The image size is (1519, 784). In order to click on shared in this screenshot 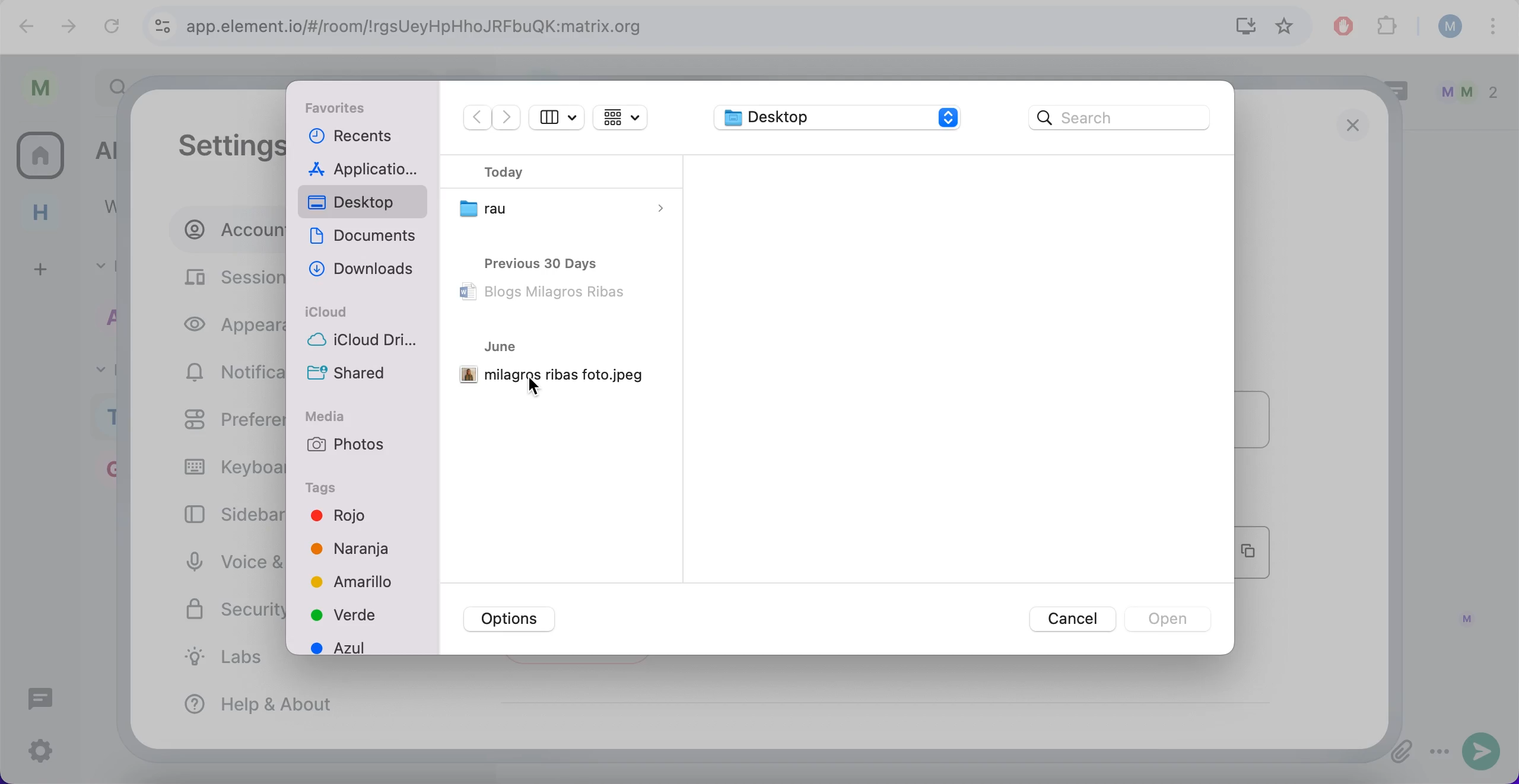, I will do `click(345, 372)`.